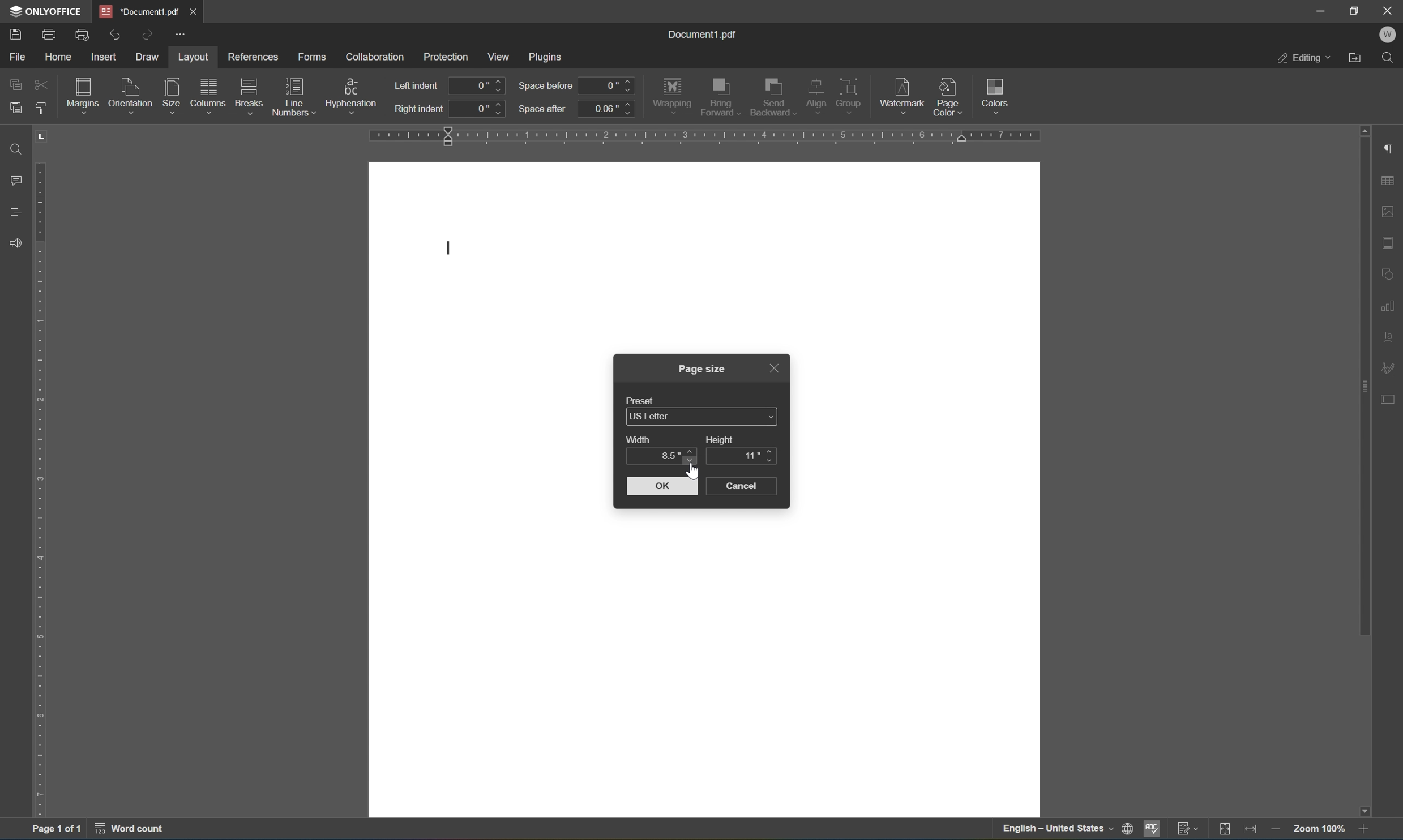 This screenshot has width=1403, height=840. Describe the element at coordinates (1303, 59) in the screenshot. I see `editing` at that location.